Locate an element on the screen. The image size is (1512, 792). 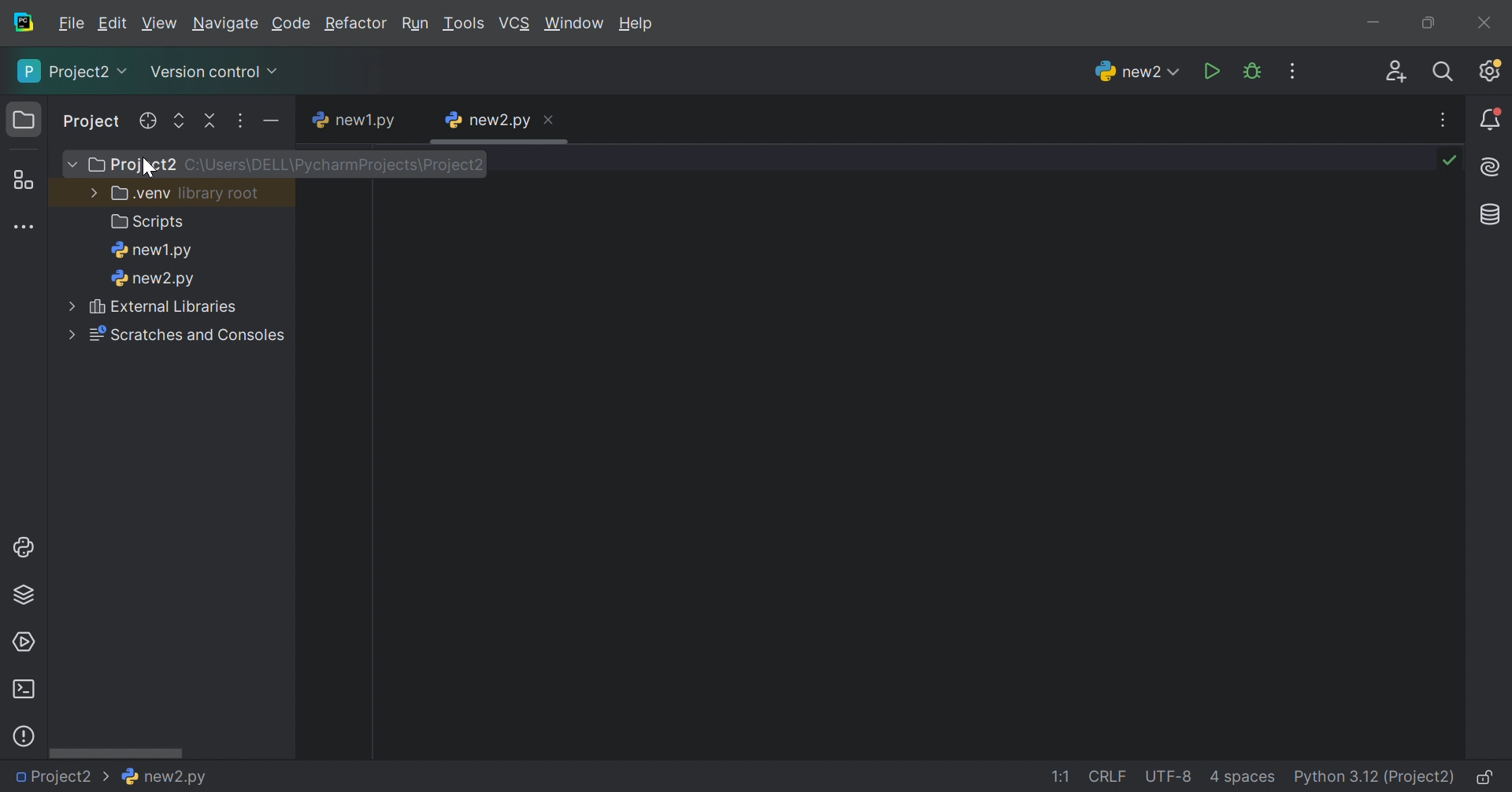
Debug is located at coordinates (1251, 71).